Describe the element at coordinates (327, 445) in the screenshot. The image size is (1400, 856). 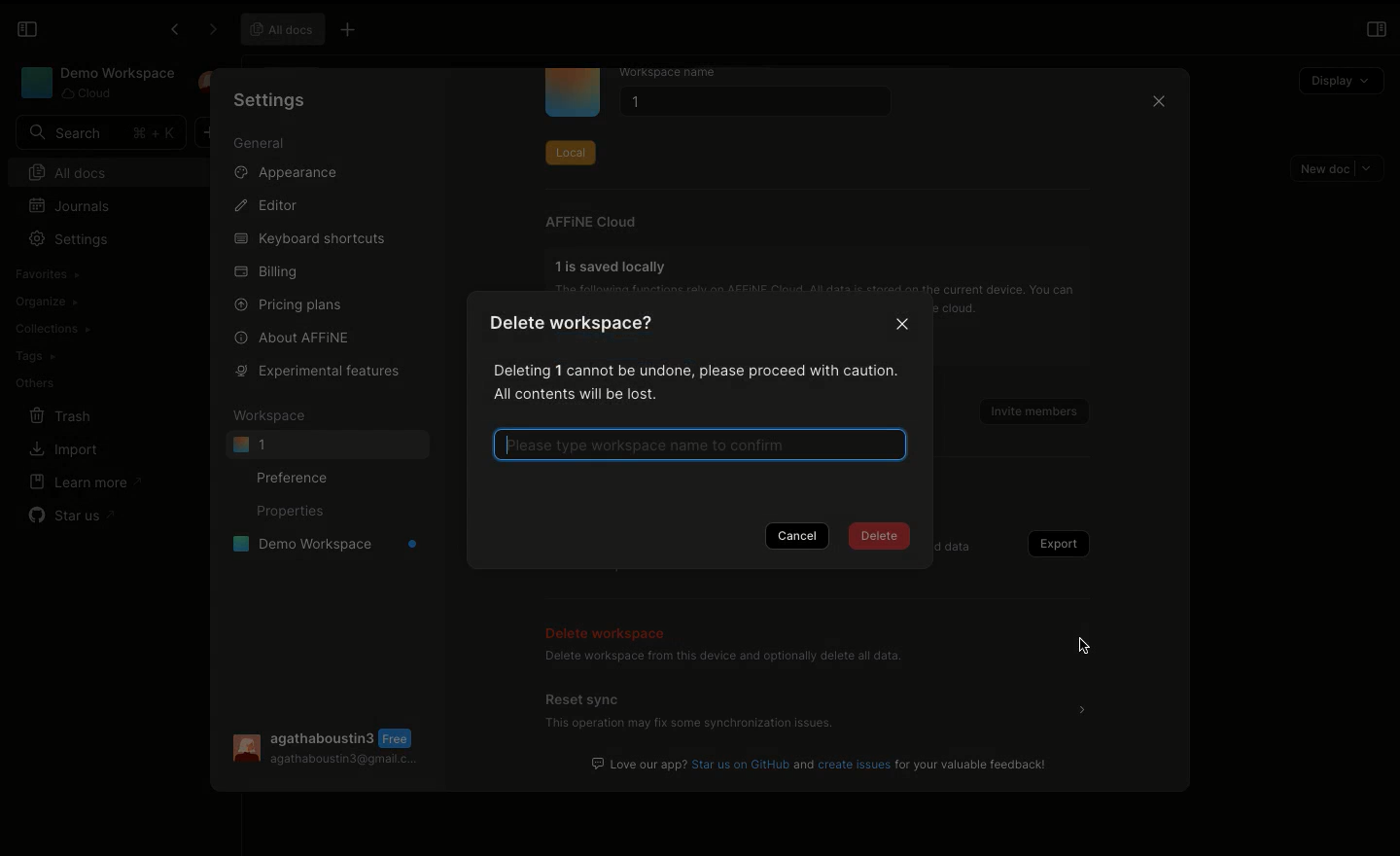
I see `1` at that location.